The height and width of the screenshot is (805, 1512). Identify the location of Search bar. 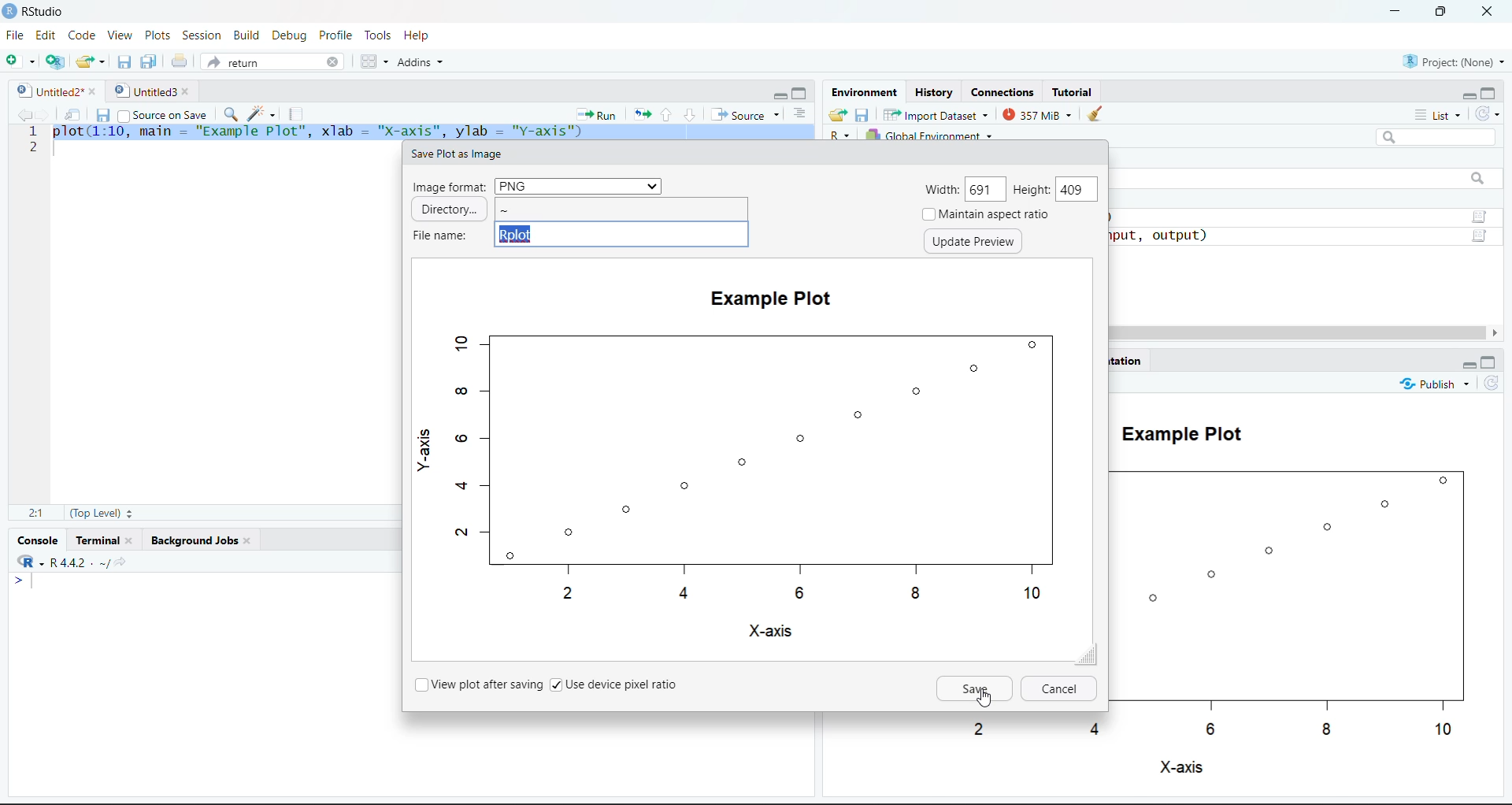
(1437, 137).